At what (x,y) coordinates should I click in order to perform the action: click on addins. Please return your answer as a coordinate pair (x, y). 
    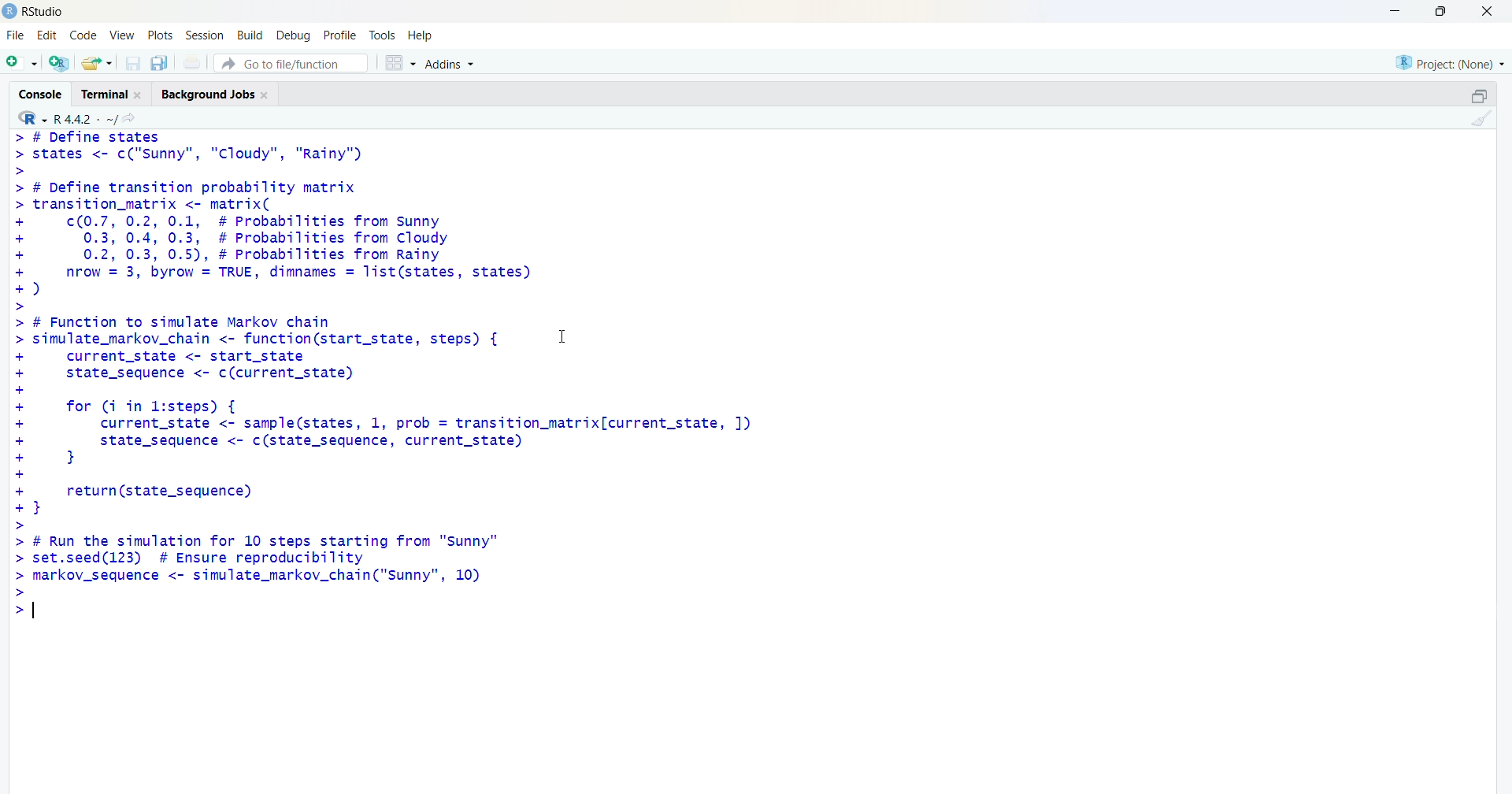
    Looking at the image, I should click on (453, 64).